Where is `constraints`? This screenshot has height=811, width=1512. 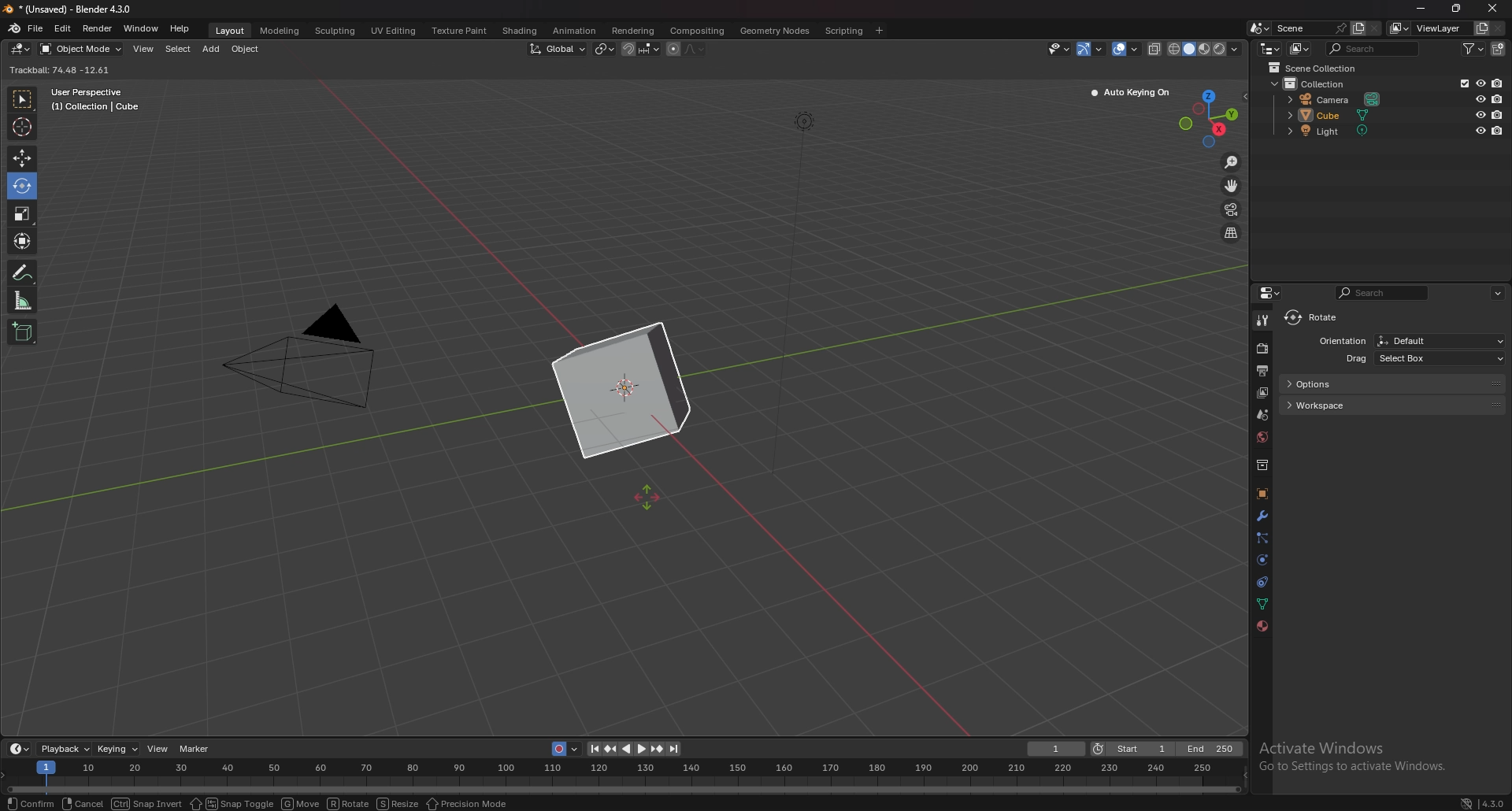 constraints is located at coordinates (1263, 581).